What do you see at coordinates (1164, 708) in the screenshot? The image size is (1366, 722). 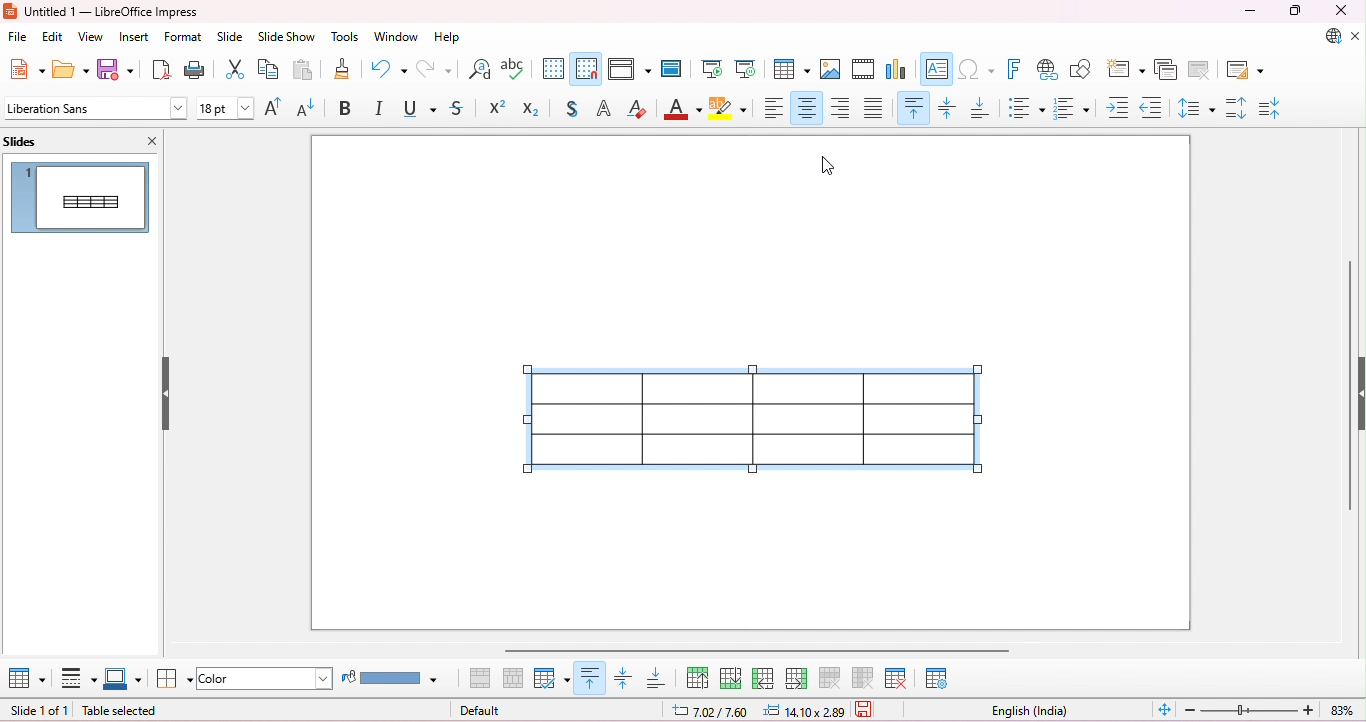 I see `fit slide to current window` at bounding box center [1164, 708].